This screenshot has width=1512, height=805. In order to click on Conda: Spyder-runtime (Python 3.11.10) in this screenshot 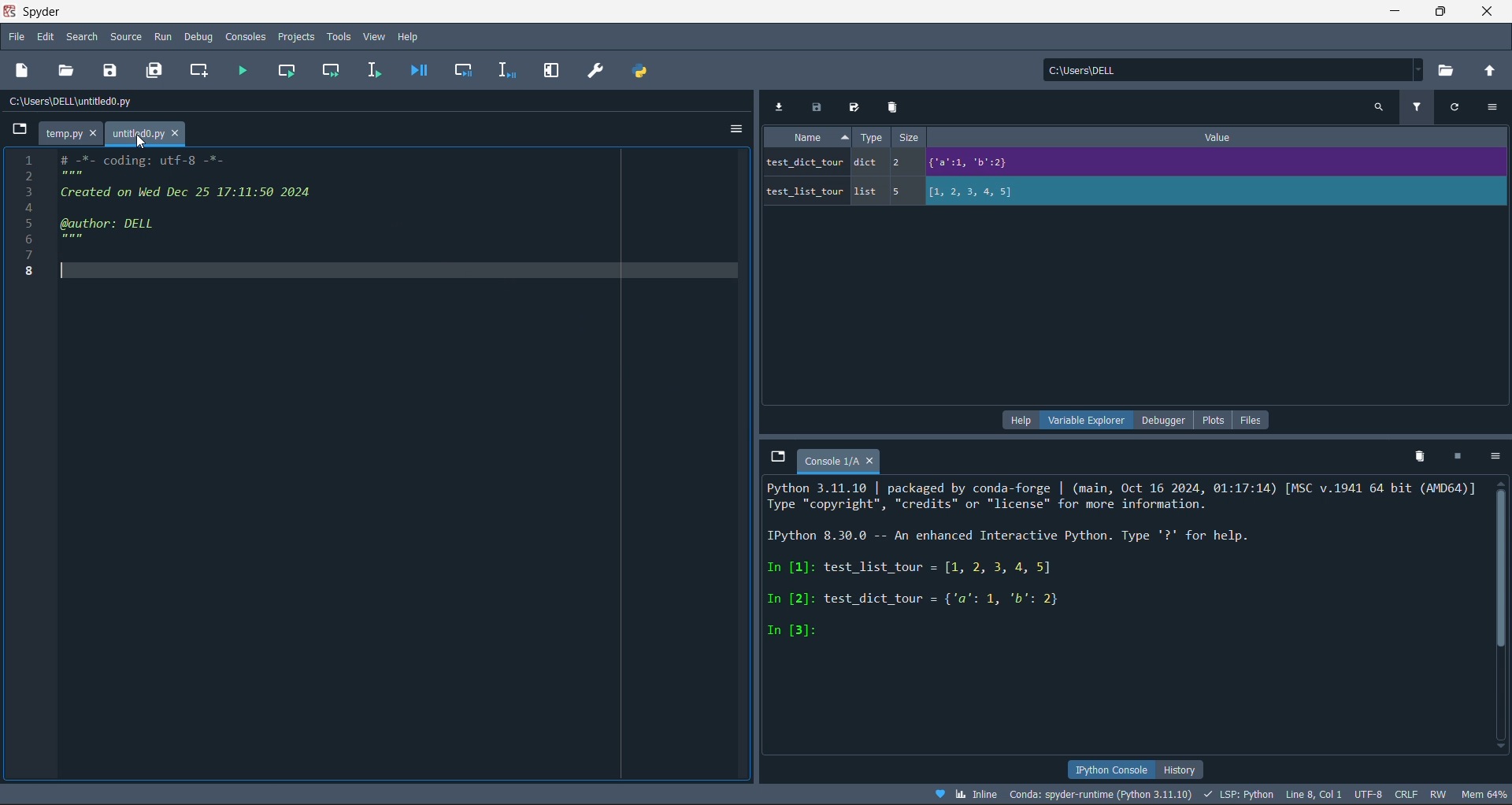, I will do `click(1102, 793)`.